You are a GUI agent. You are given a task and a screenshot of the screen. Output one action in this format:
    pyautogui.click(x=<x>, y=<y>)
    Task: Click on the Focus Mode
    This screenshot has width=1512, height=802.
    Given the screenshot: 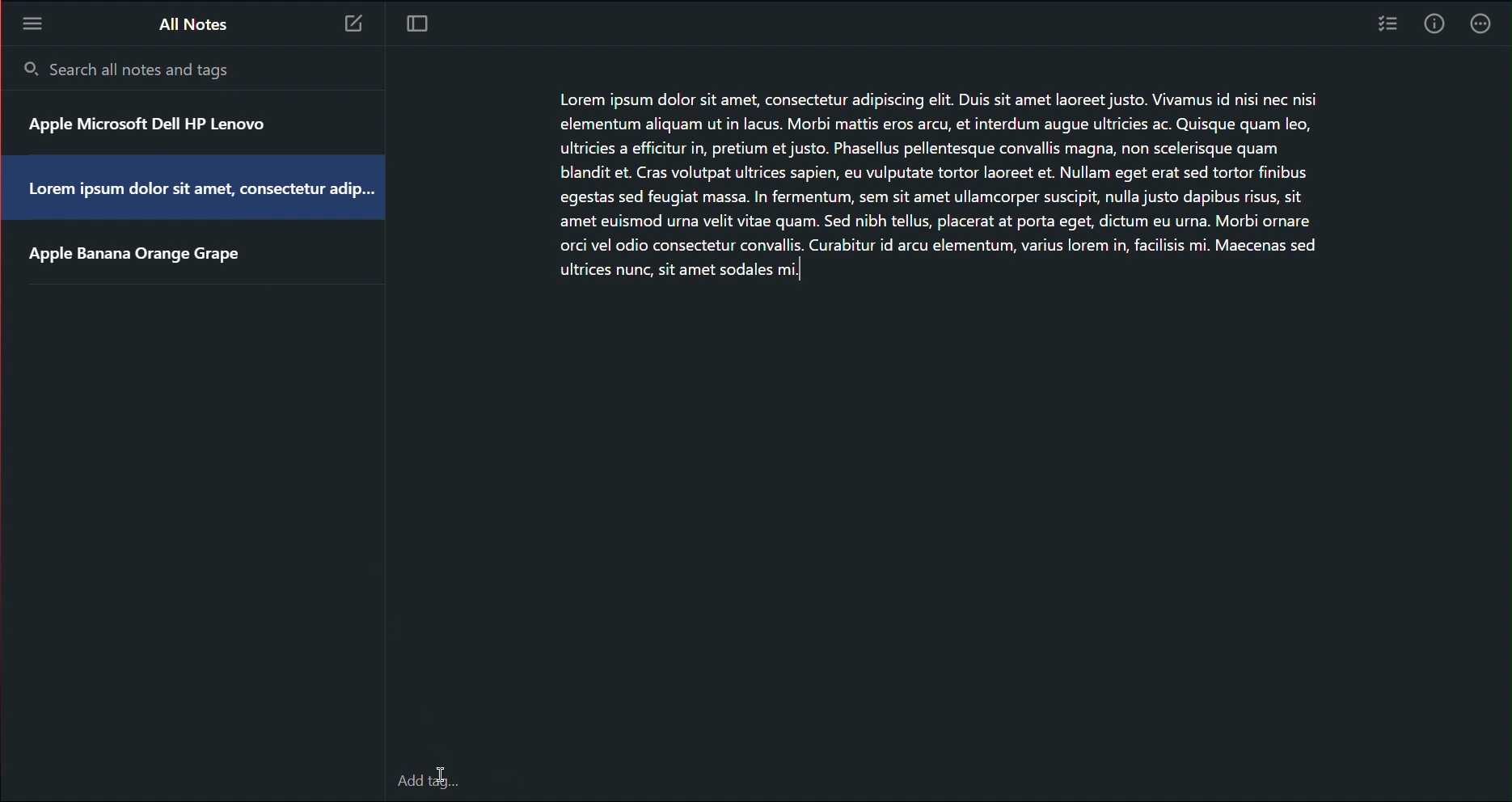 What is the action you would take?
    pyautogui.click(x=419, y=24)
    